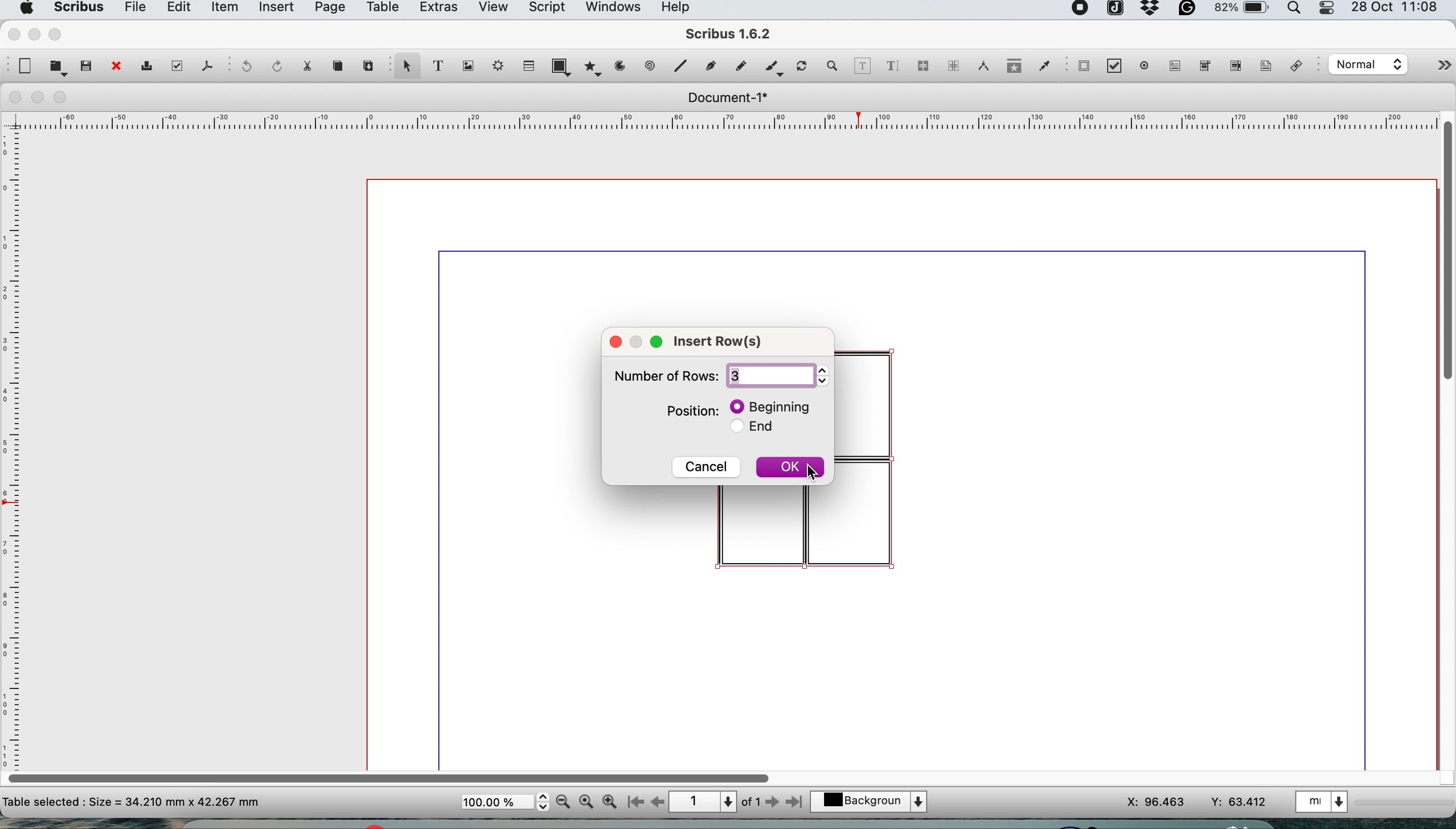 The width and height of the screenshot is (1456, 829). What do you see at coordinates (527, 65) in the screenshot?
I see `table` at bounding box center [527, 65].